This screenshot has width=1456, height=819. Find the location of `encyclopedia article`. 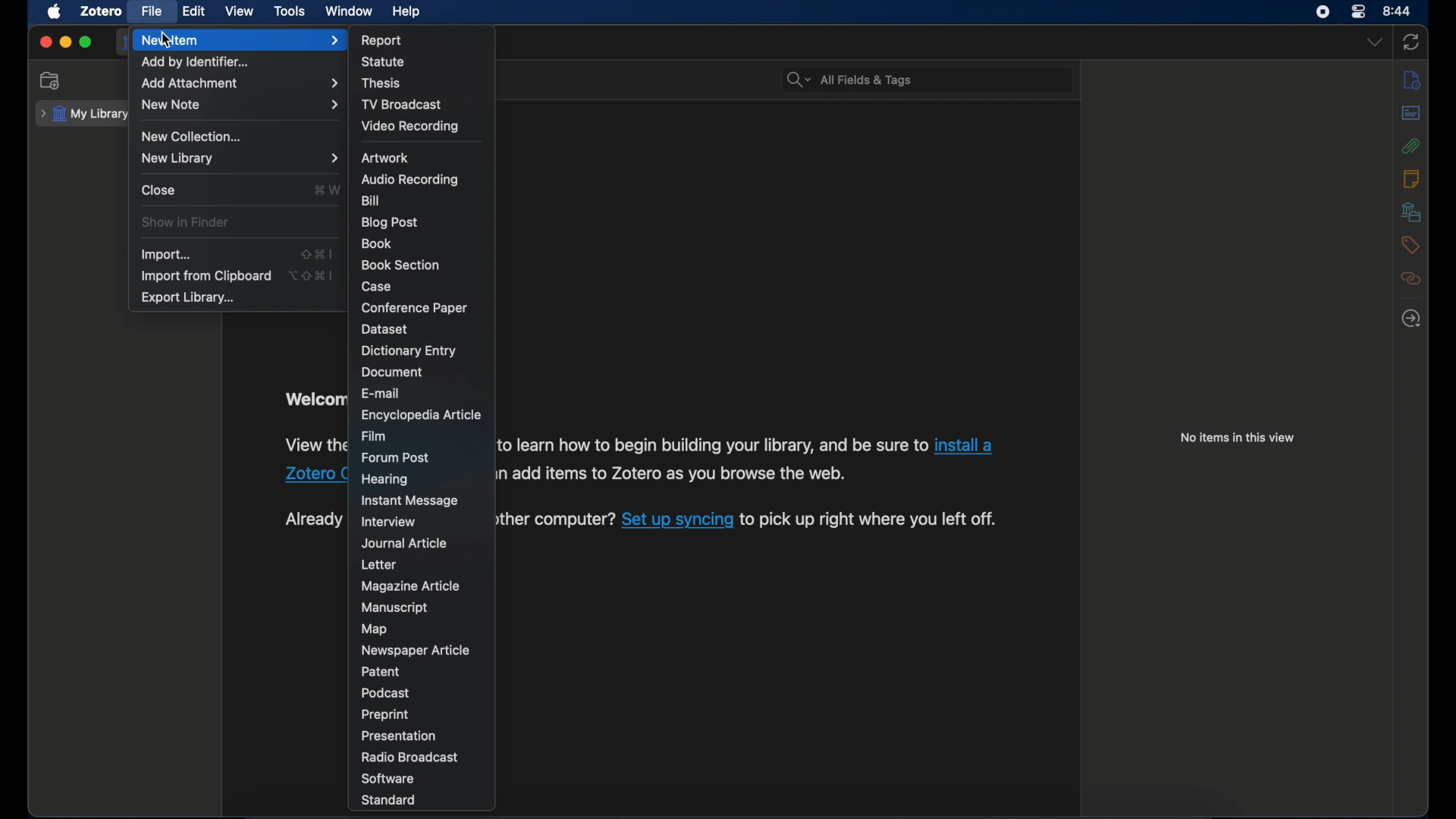

encyclopedia article is located at coordinates (422, 415).